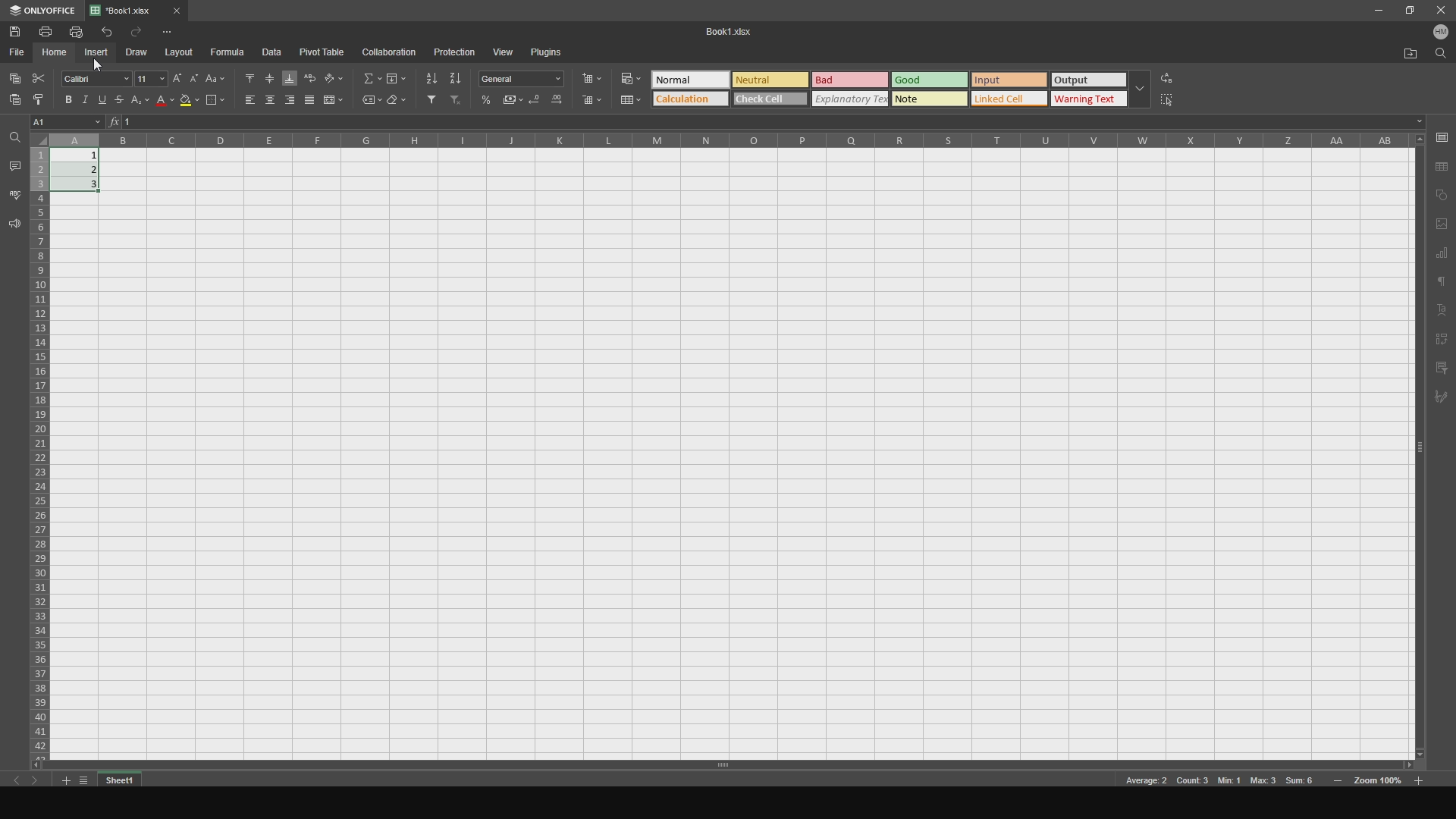 The width and height of the screenshot is (1456, 819). Describe the element at coordinates (309, 76) in the screenshot. I see `wrap text` at that location.